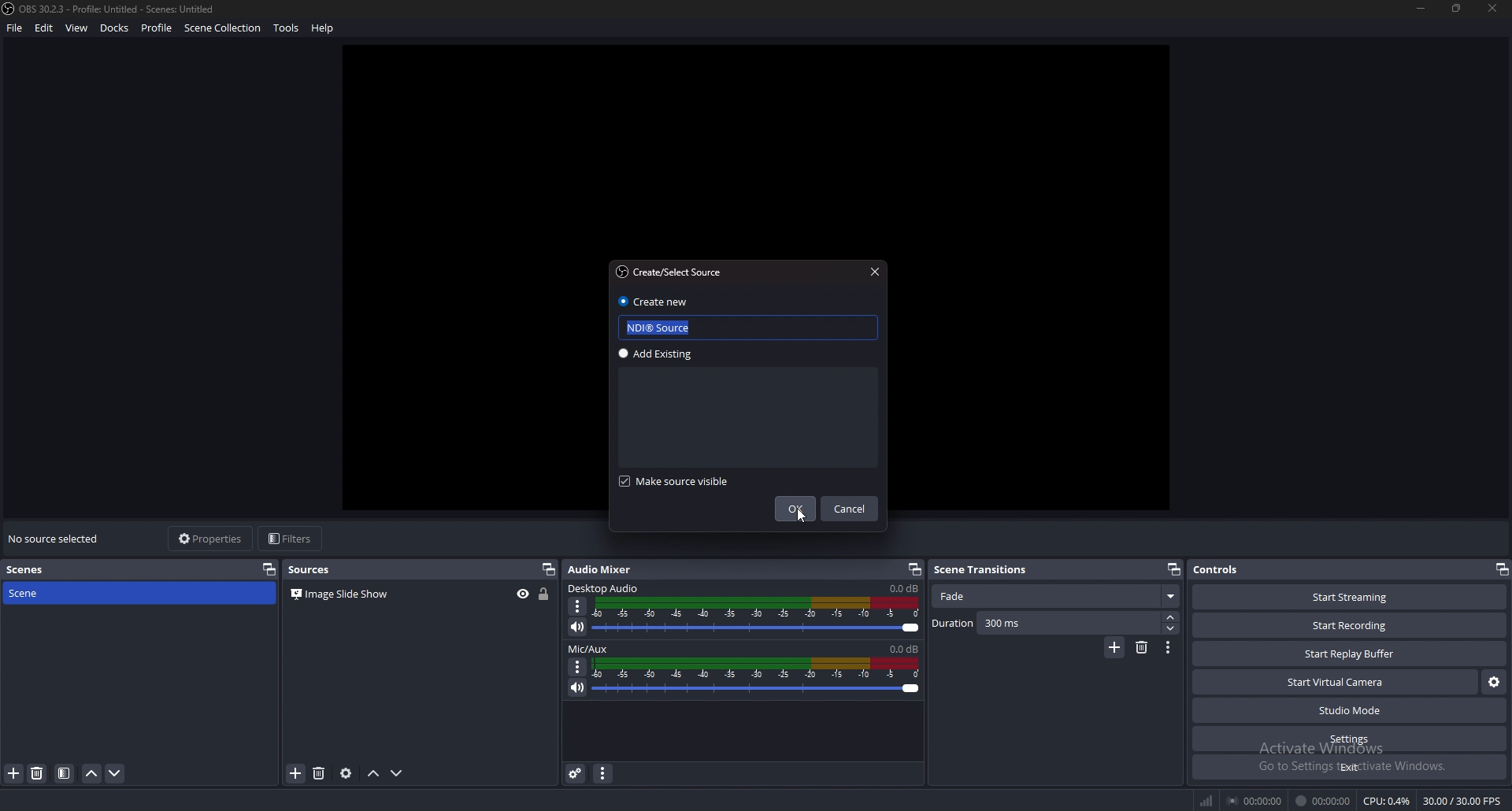 The width and height of the screenshot is (1512, 811). Describe the element at coordinates (673, 271) in the screenshot. I see `create/select source` at that location.